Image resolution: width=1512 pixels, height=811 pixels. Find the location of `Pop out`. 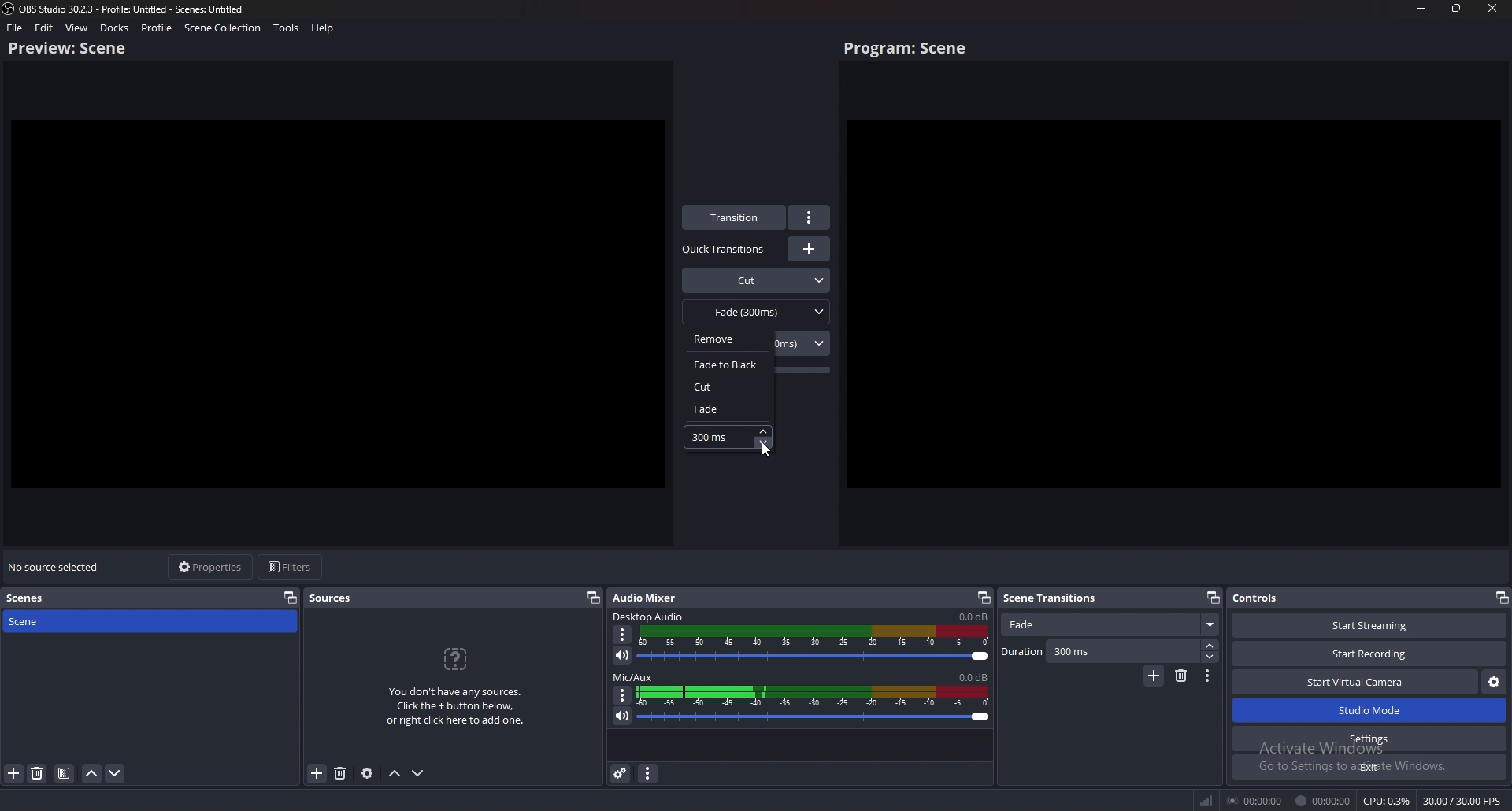

Pop out is located at coordinates (984, 598).